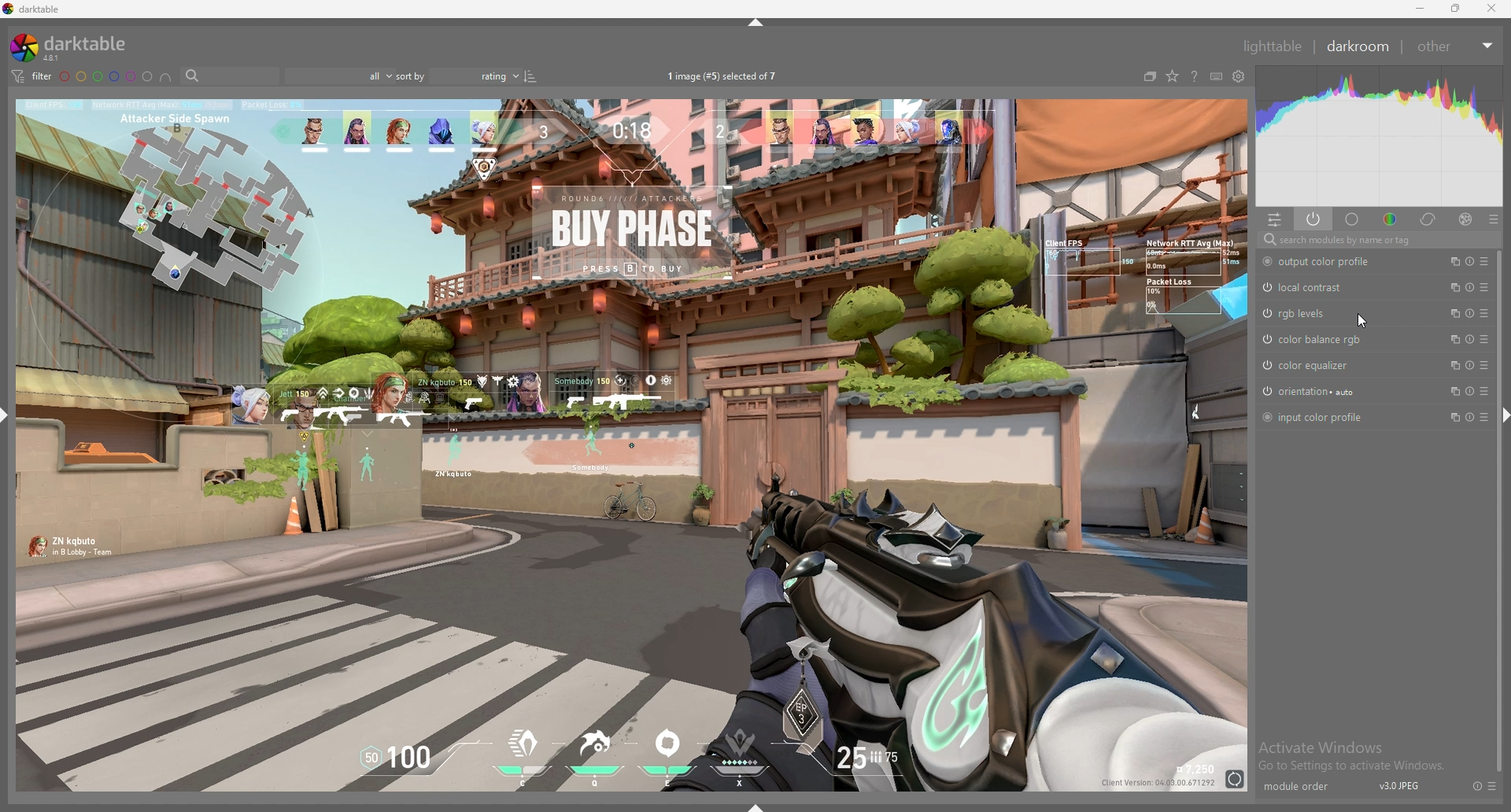 Image resolution: width=1511 pixels, height=812 pixels. Describe the element at coordinates (1469, 364) in the screenshot. I see `reset` at that location.